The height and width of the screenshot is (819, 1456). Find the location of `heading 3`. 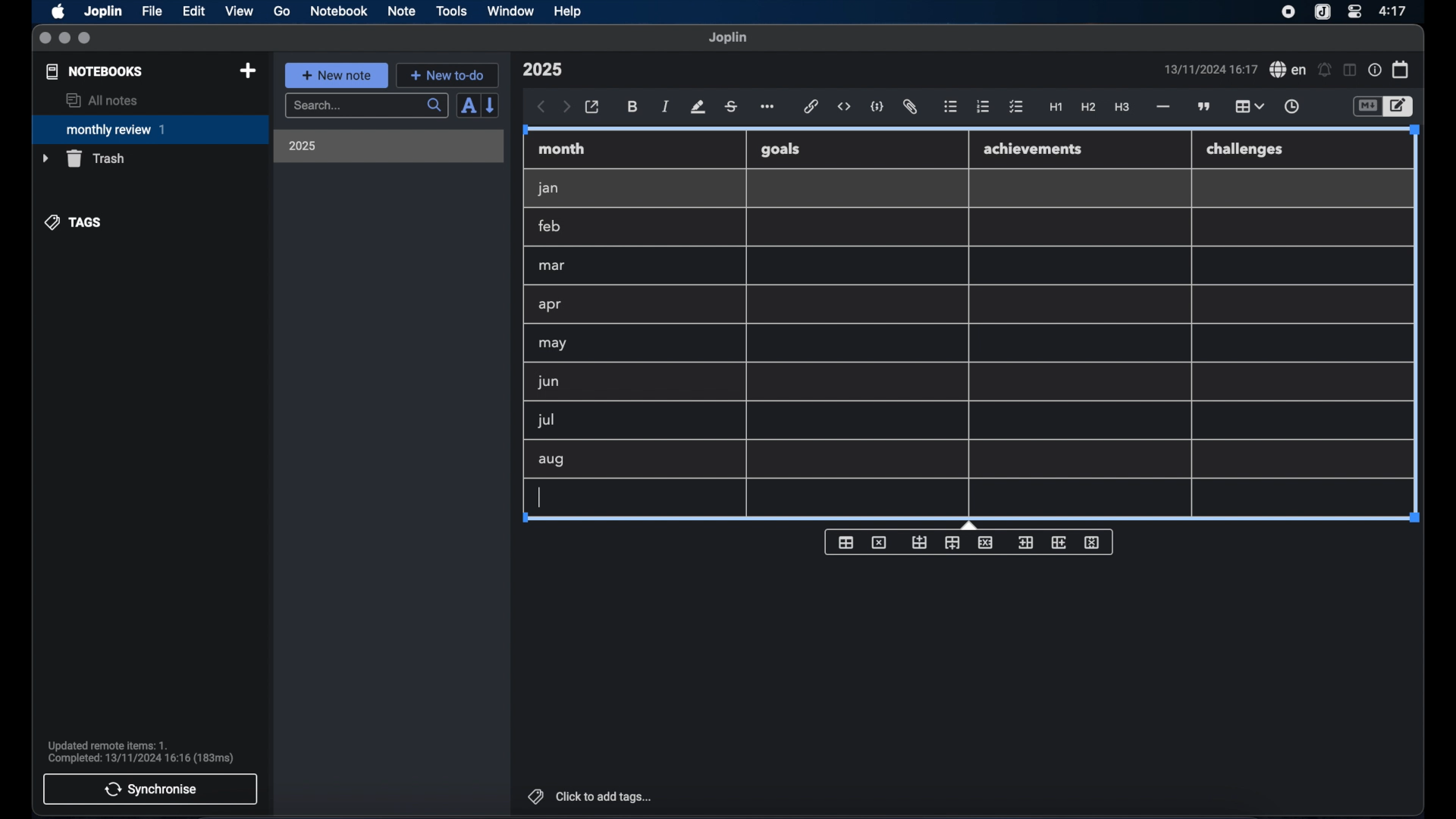

heading 3 is located at coordinates (1122, 108).